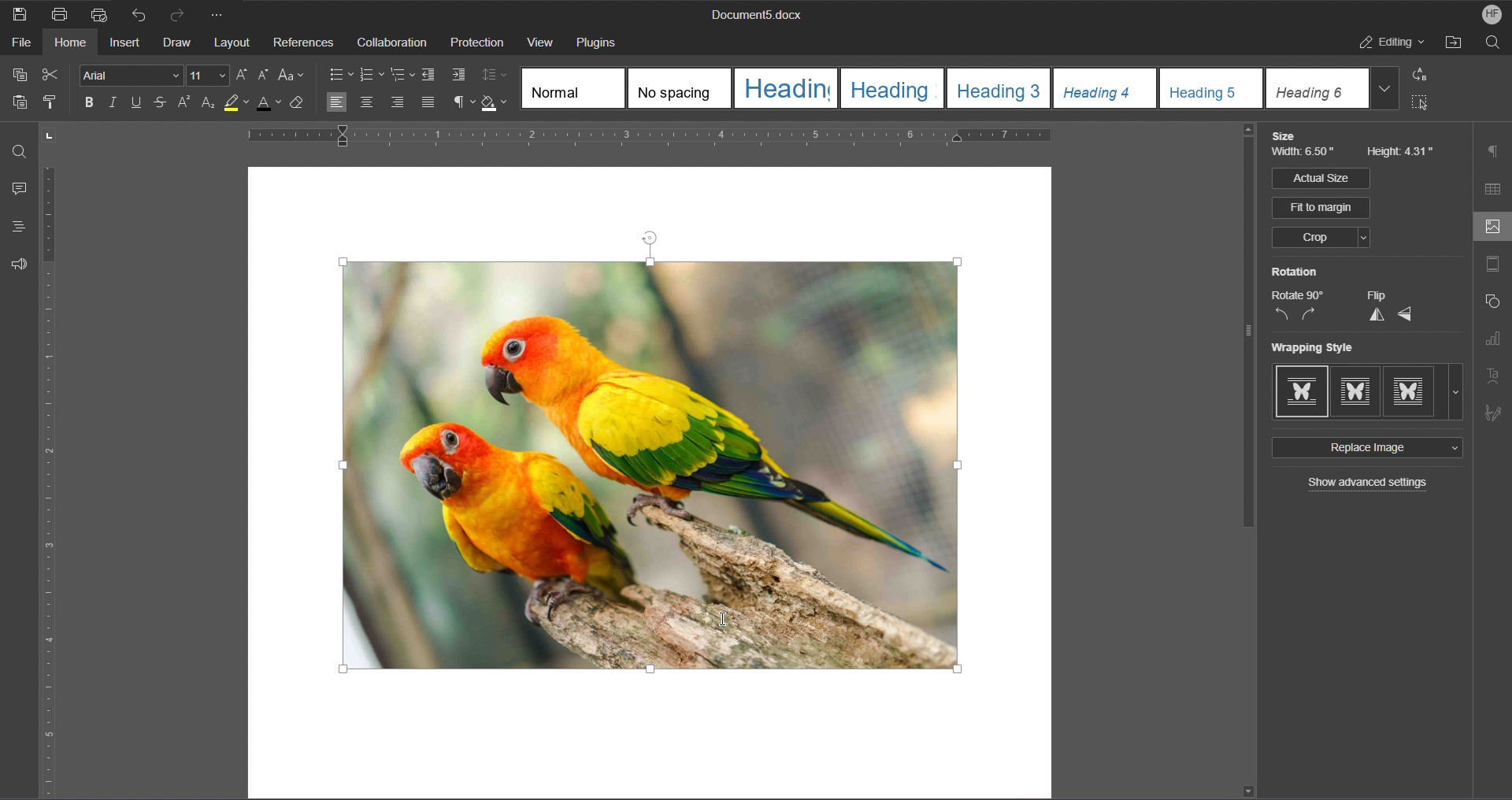 This screenshot has width=1512, height=800. Describe the element at coordinates (17, 106) in the screenshot. I see `Paste` at that location.